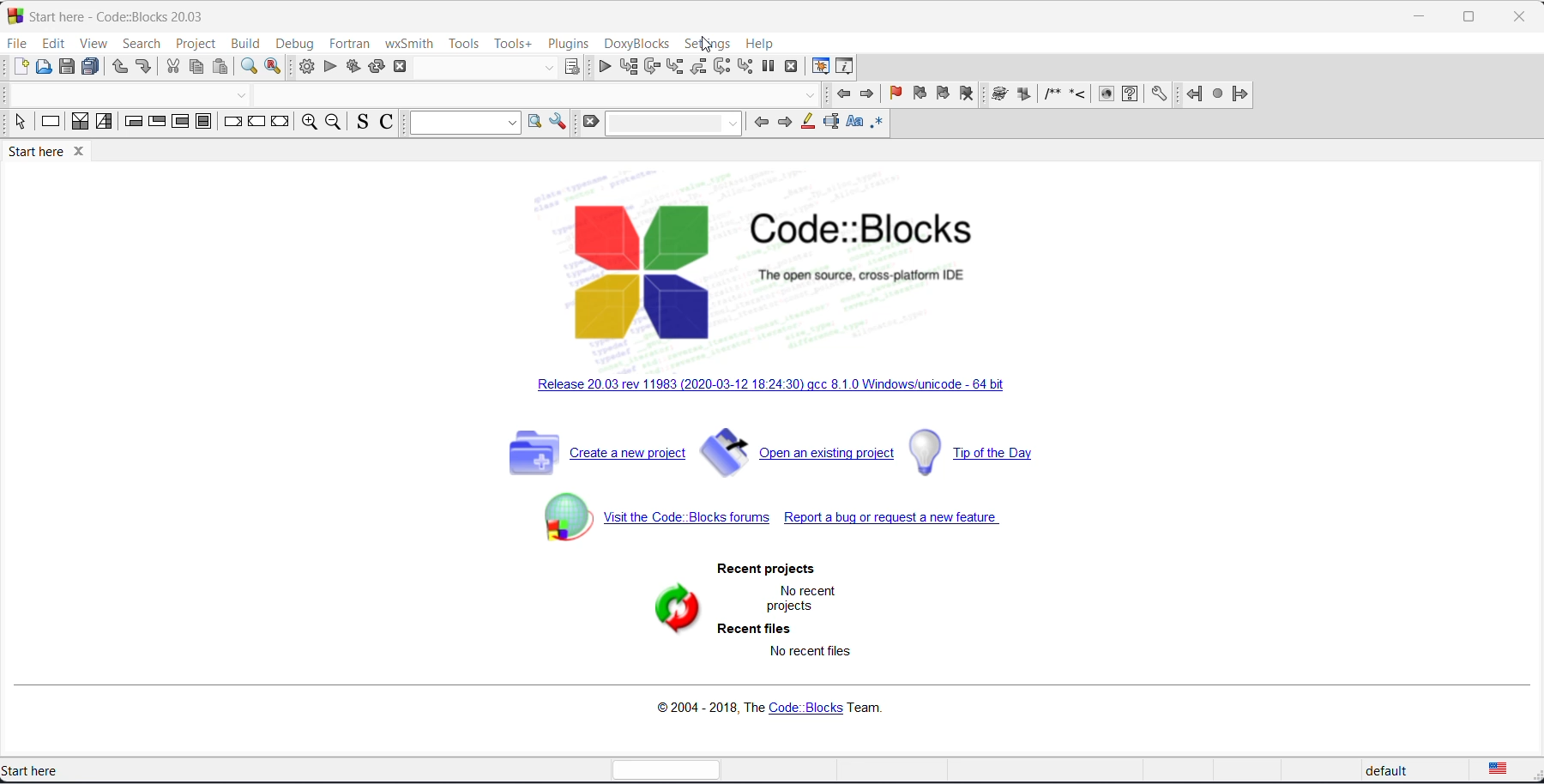 The image size is (1544, 784). What do you see at coordinates (244, 45) in the screenshot?
I see `build` at bounding box center [244, 45].